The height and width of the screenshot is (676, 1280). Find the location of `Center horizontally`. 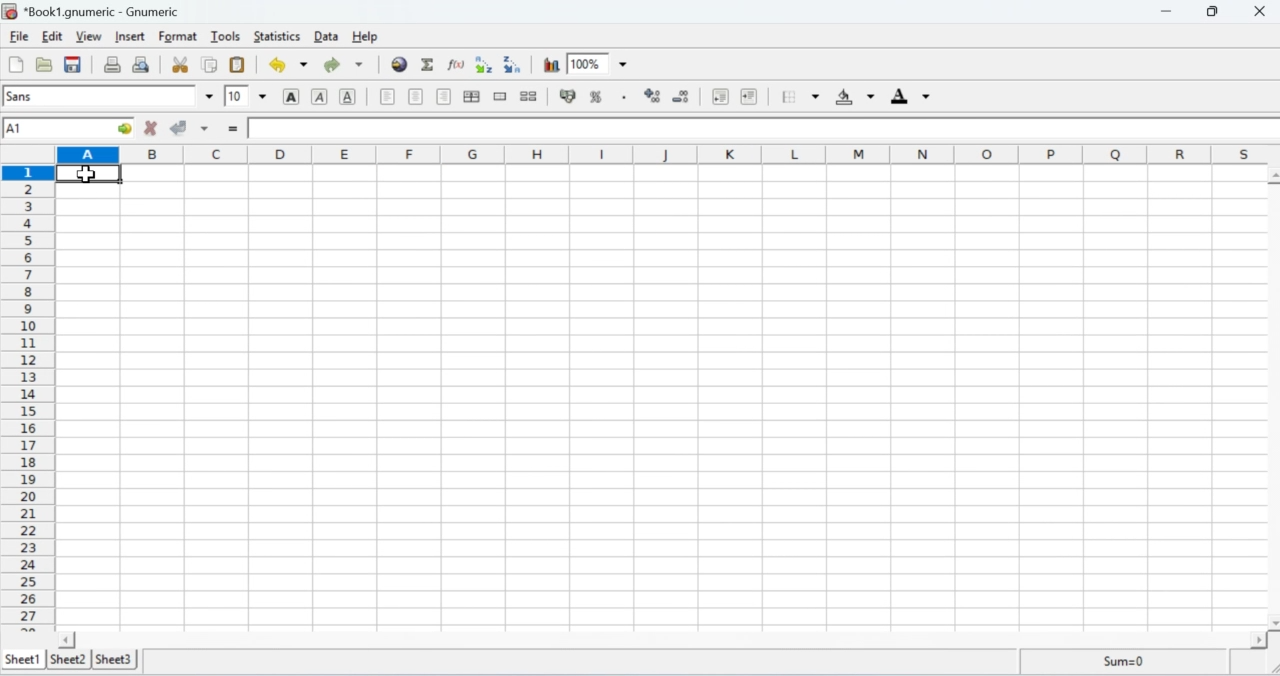

Center horizontally is located at coordinates (418, 98).